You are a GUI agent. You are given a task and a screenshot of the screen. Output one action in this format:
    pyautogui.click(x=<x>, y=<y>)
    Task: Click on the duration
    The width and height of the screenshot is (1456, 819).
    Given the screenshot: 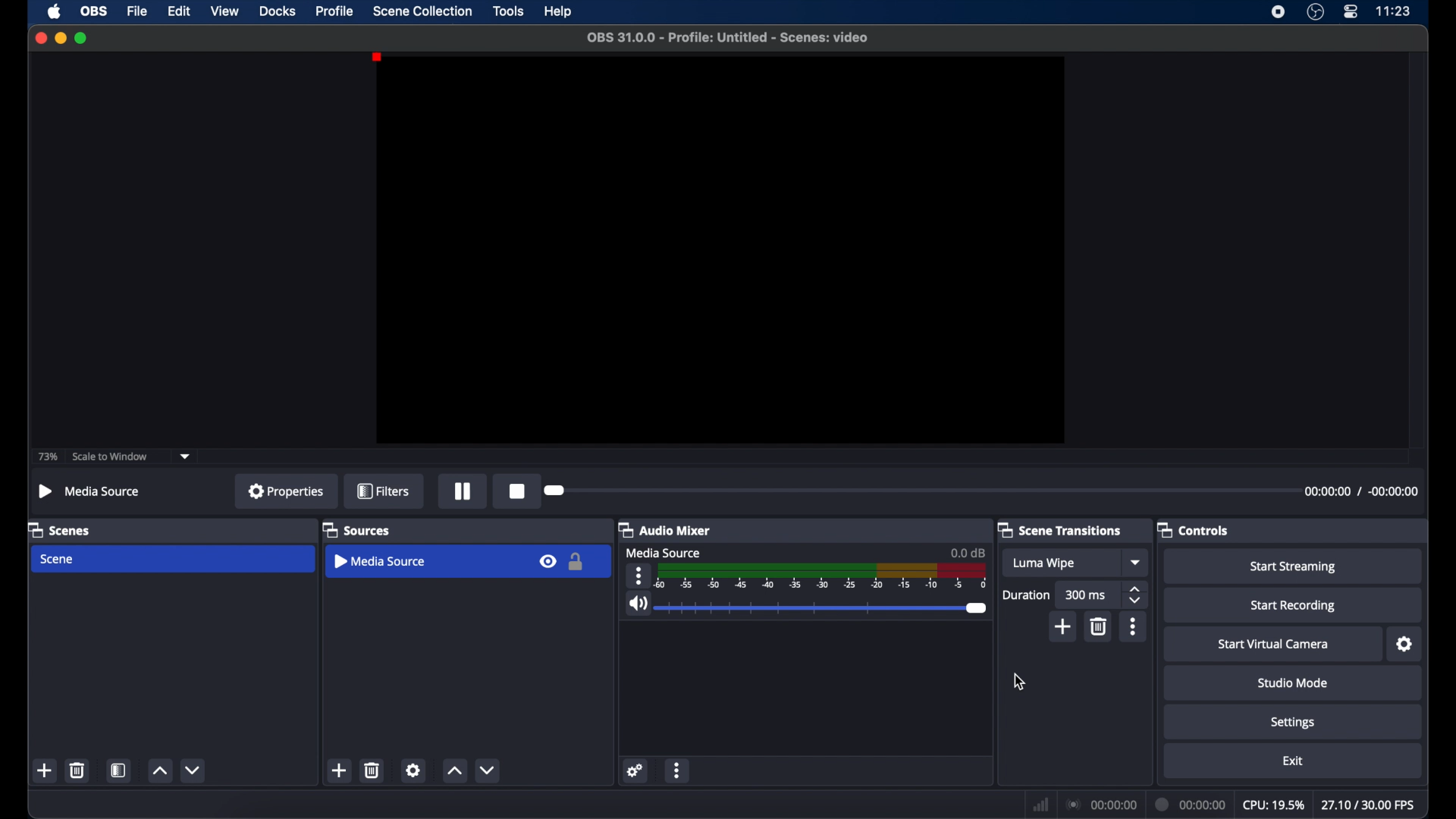 What is the action you would take?
    pyautogui.click(x=1025, y=596)
    